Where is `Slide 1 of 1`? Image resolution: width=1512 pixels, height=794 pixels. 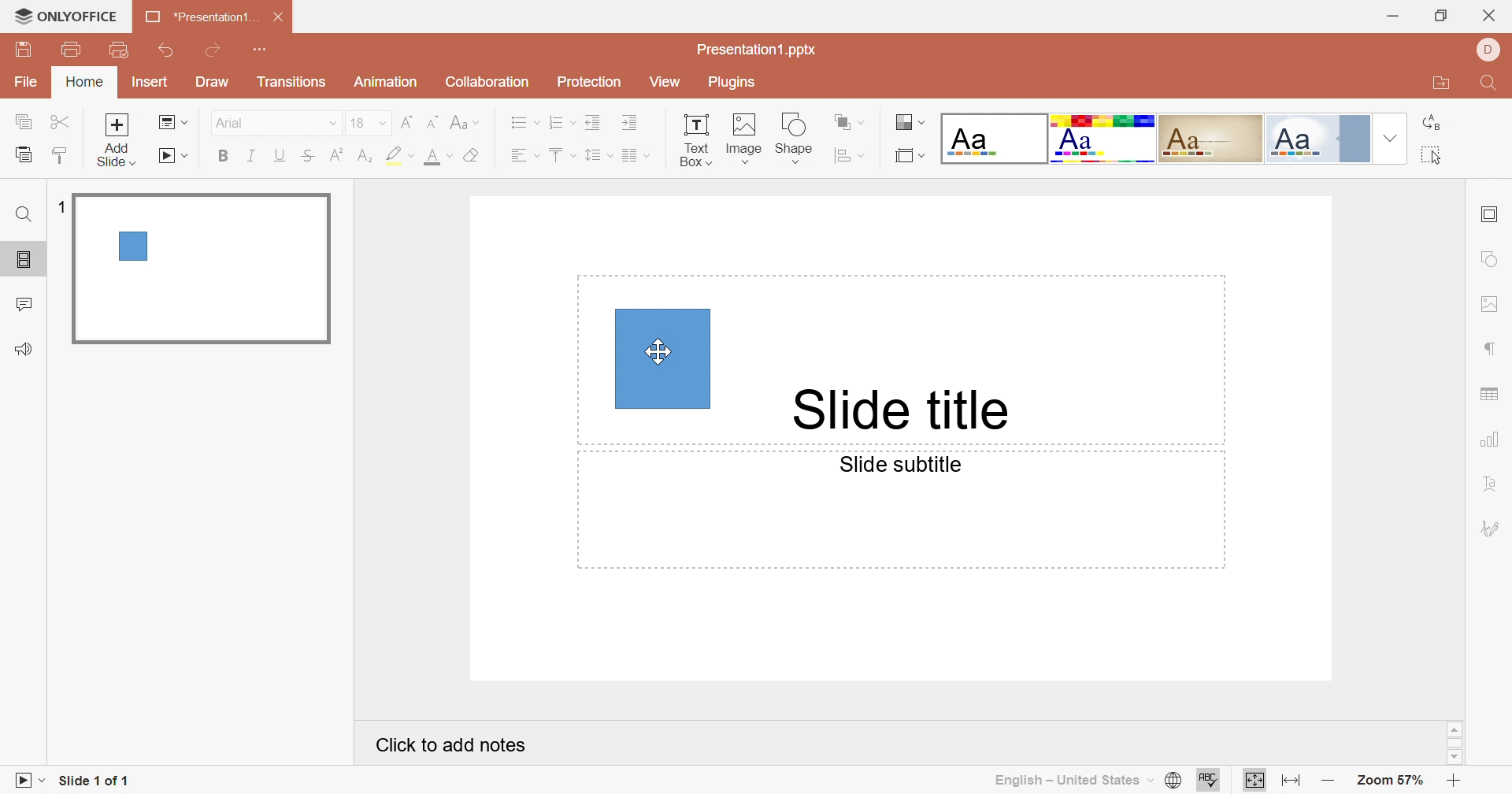
Slide 1 of 1 is located at coordinates (97, 781).